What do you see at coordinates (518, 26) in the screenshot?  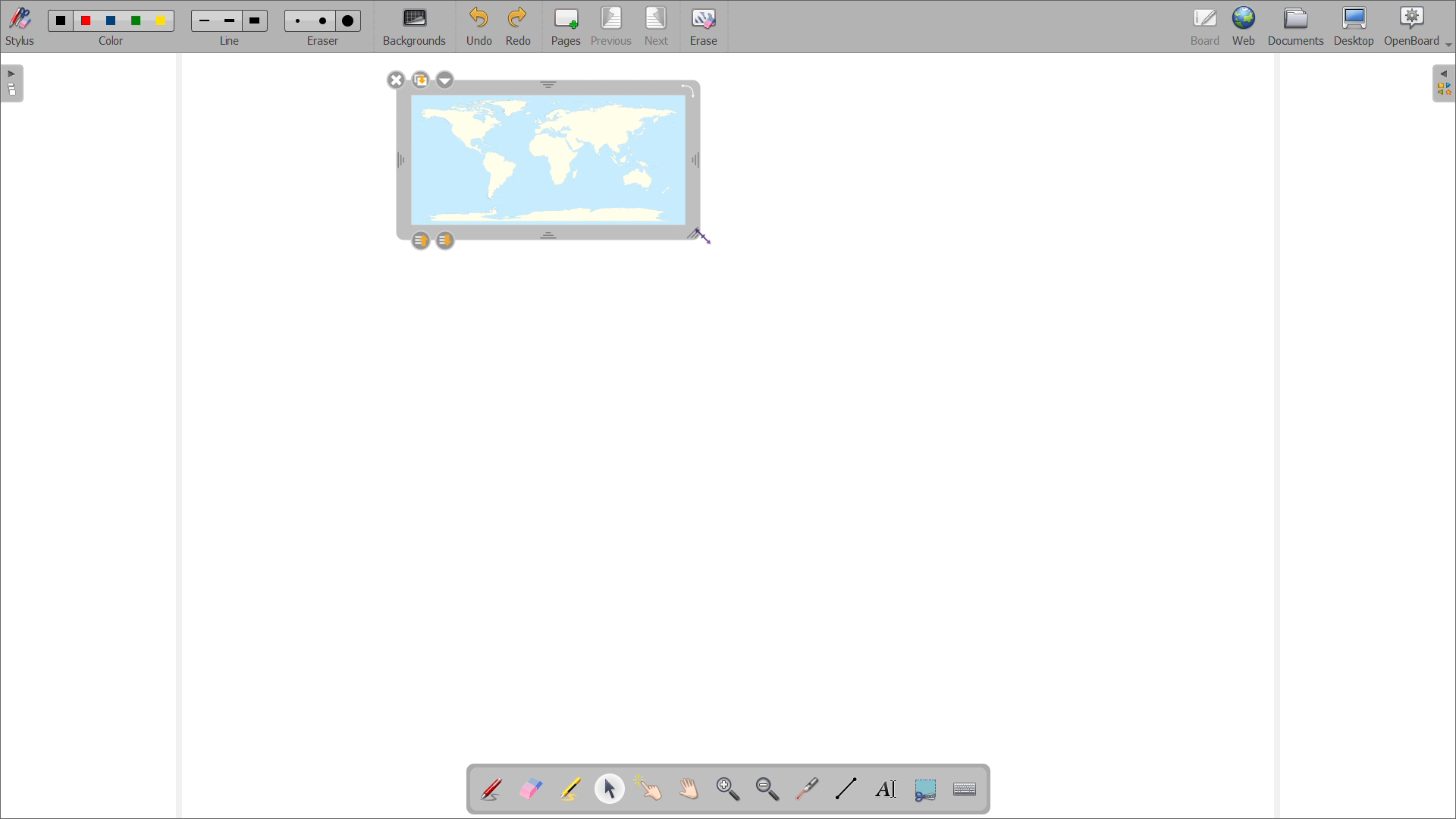 I see `redo` at bounding box center [518, 26].